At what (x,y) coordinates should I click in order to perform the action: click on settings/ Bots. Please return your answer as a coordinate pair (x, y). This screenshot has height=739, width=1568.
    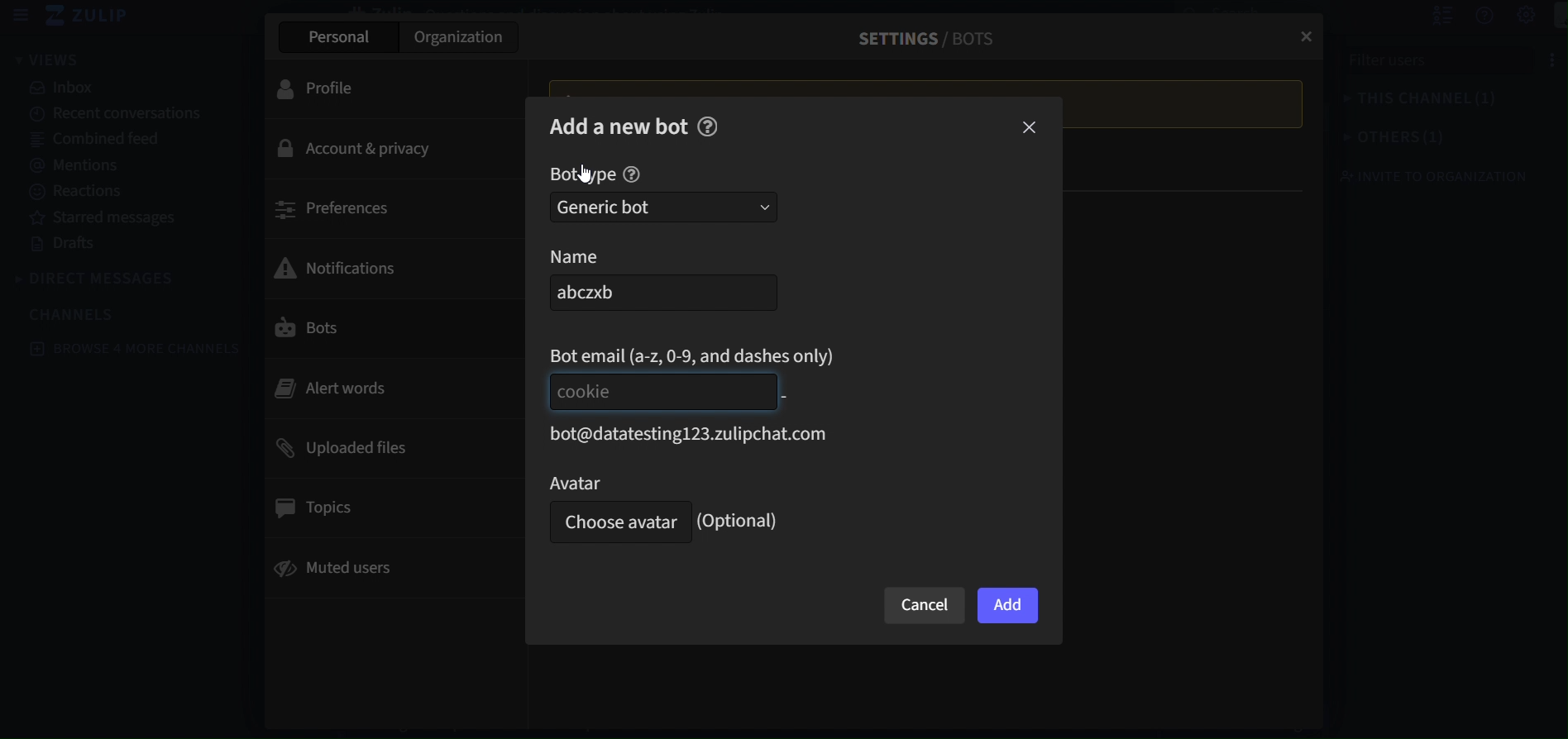
    Looking at the image, I should click on (918, 38).